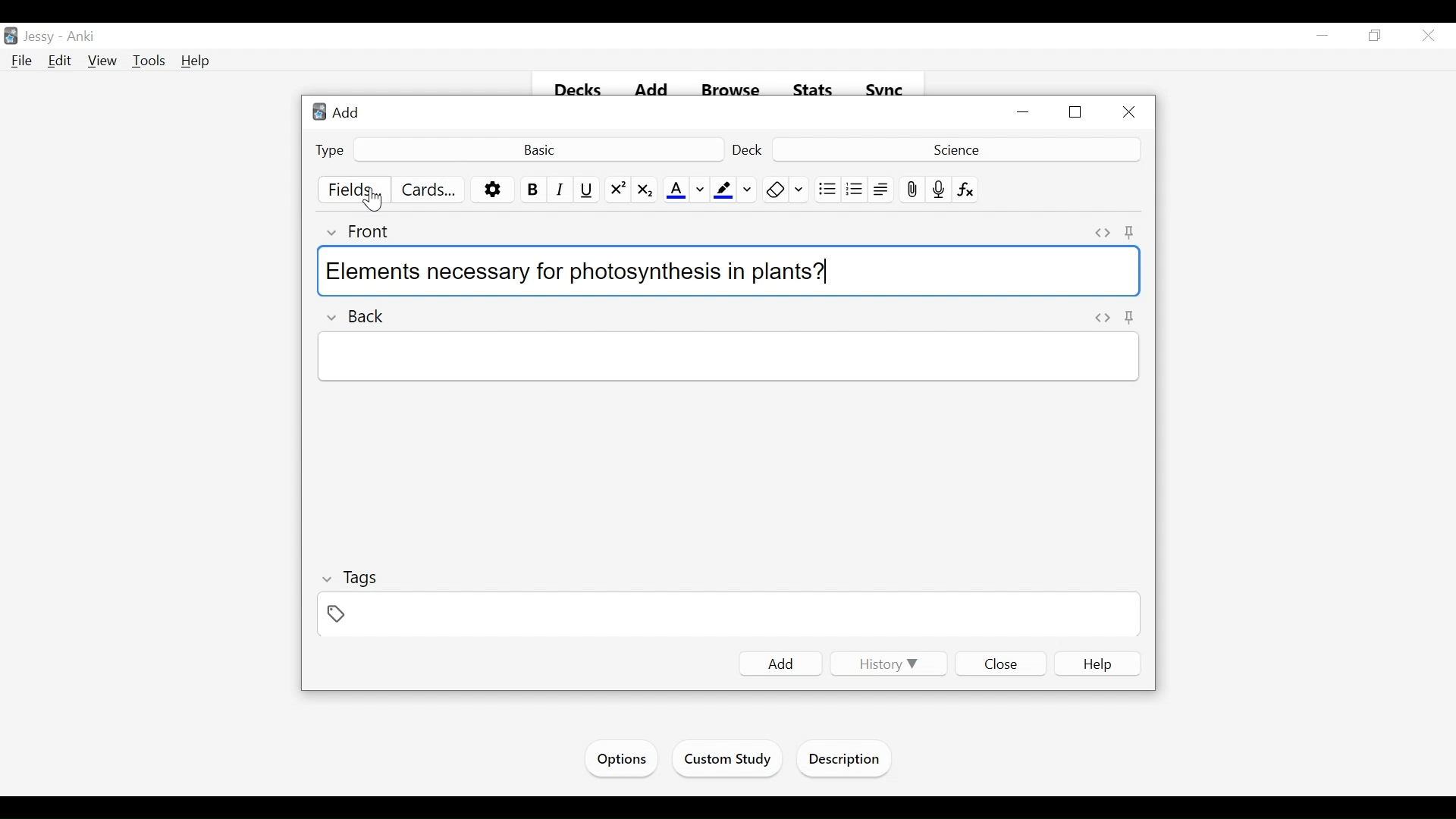 The image size is (1456, 819). What do you see at coordinates (22, 61) in the screenshot?
I see `File` at bounding box center [22, 61].